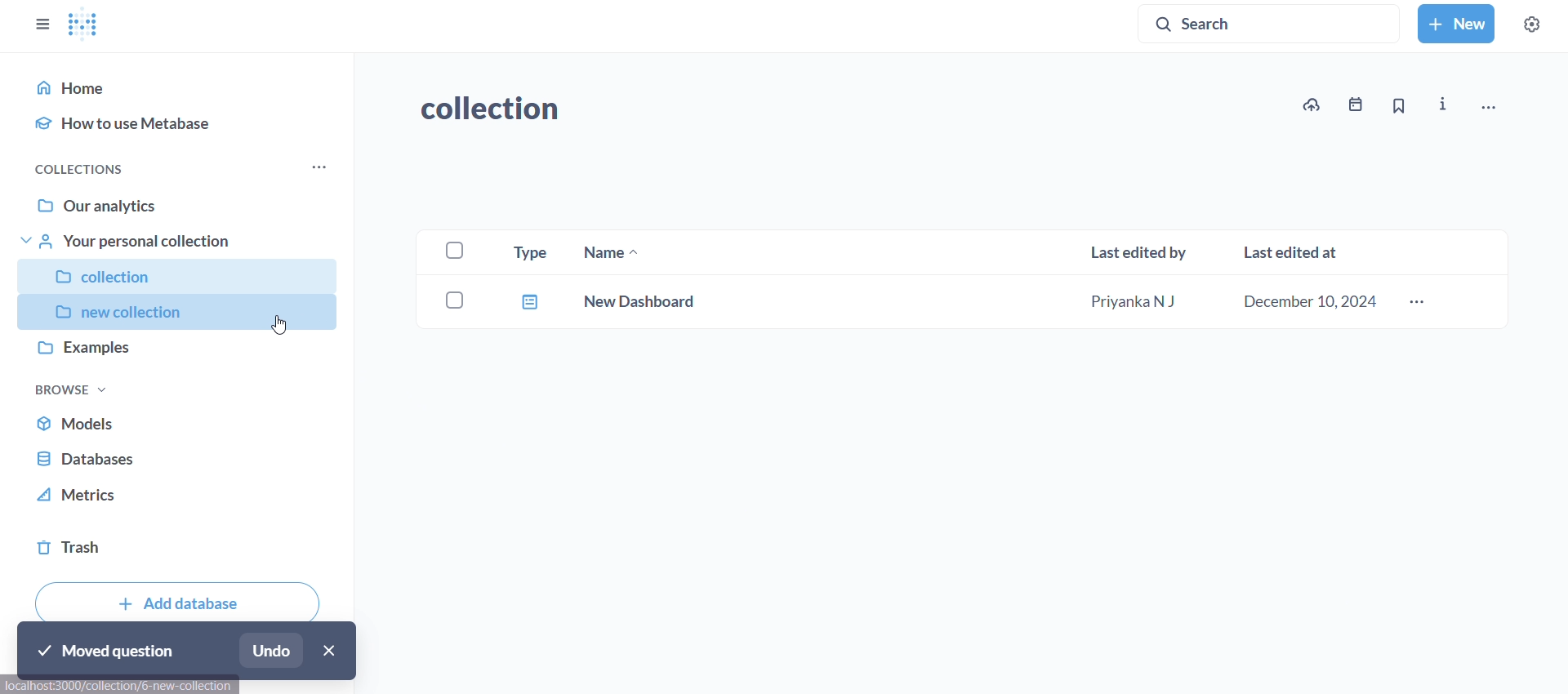 This screenshot has height=694, width=1568. What do you see at coordinates (180, 500) in the screenshot?
I see `metrics` at bounding box center [180, 500].